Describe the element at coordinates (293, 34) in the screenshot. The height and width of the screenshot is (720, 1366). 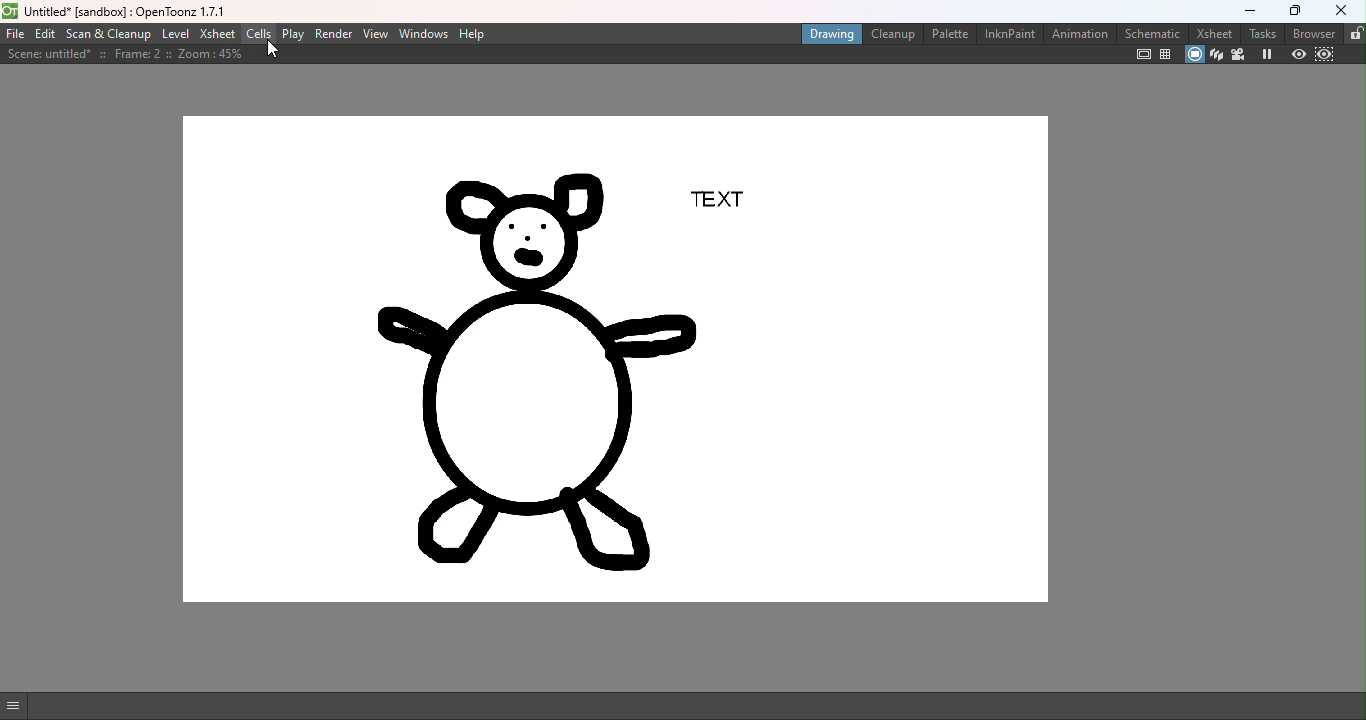
I see `Play` at that location.